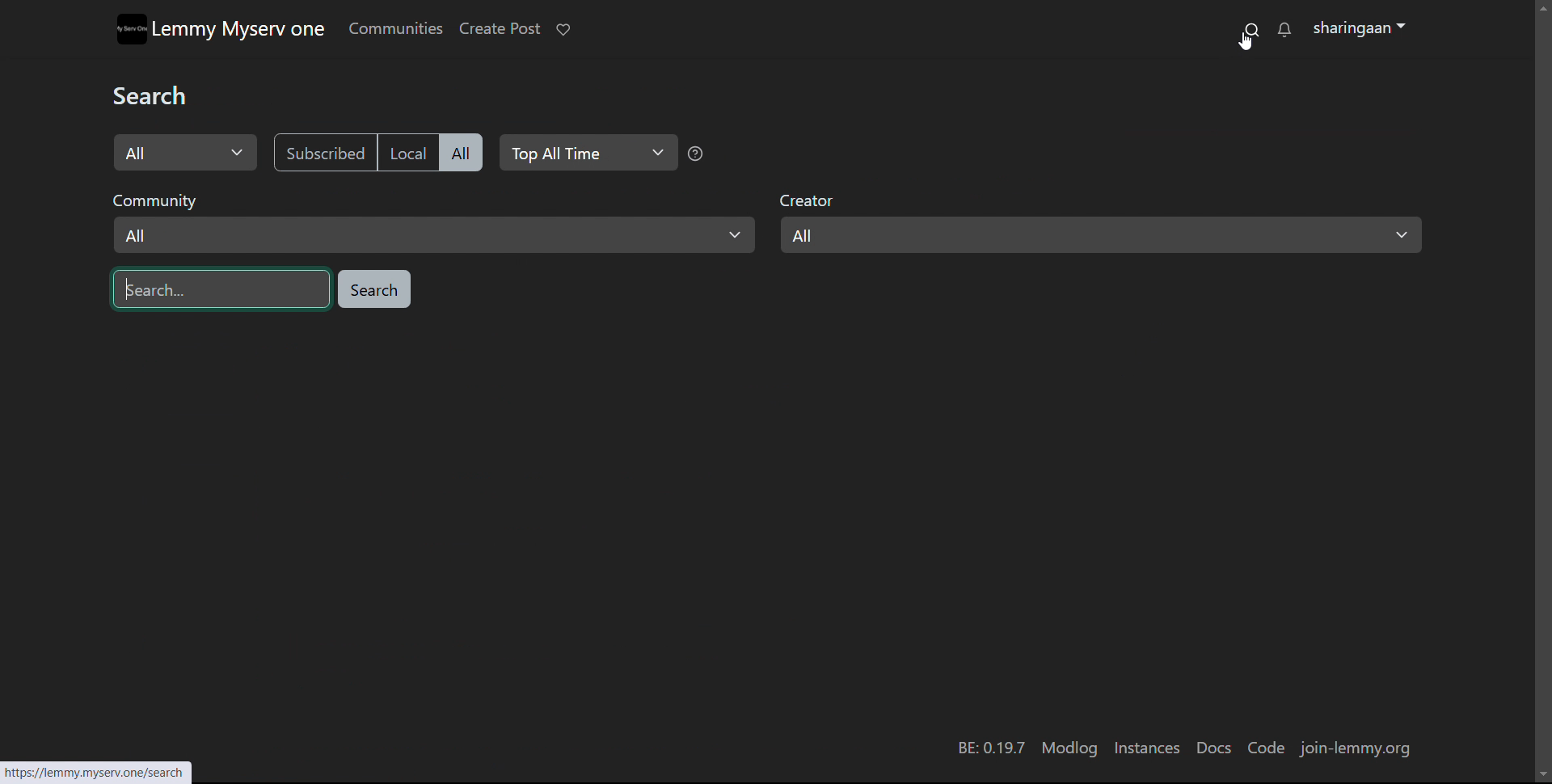 The width and height of the screenshot is (1552, 784). Describe the element at coordinates (432, 221) in the screenshot. I see `select community` at that location.